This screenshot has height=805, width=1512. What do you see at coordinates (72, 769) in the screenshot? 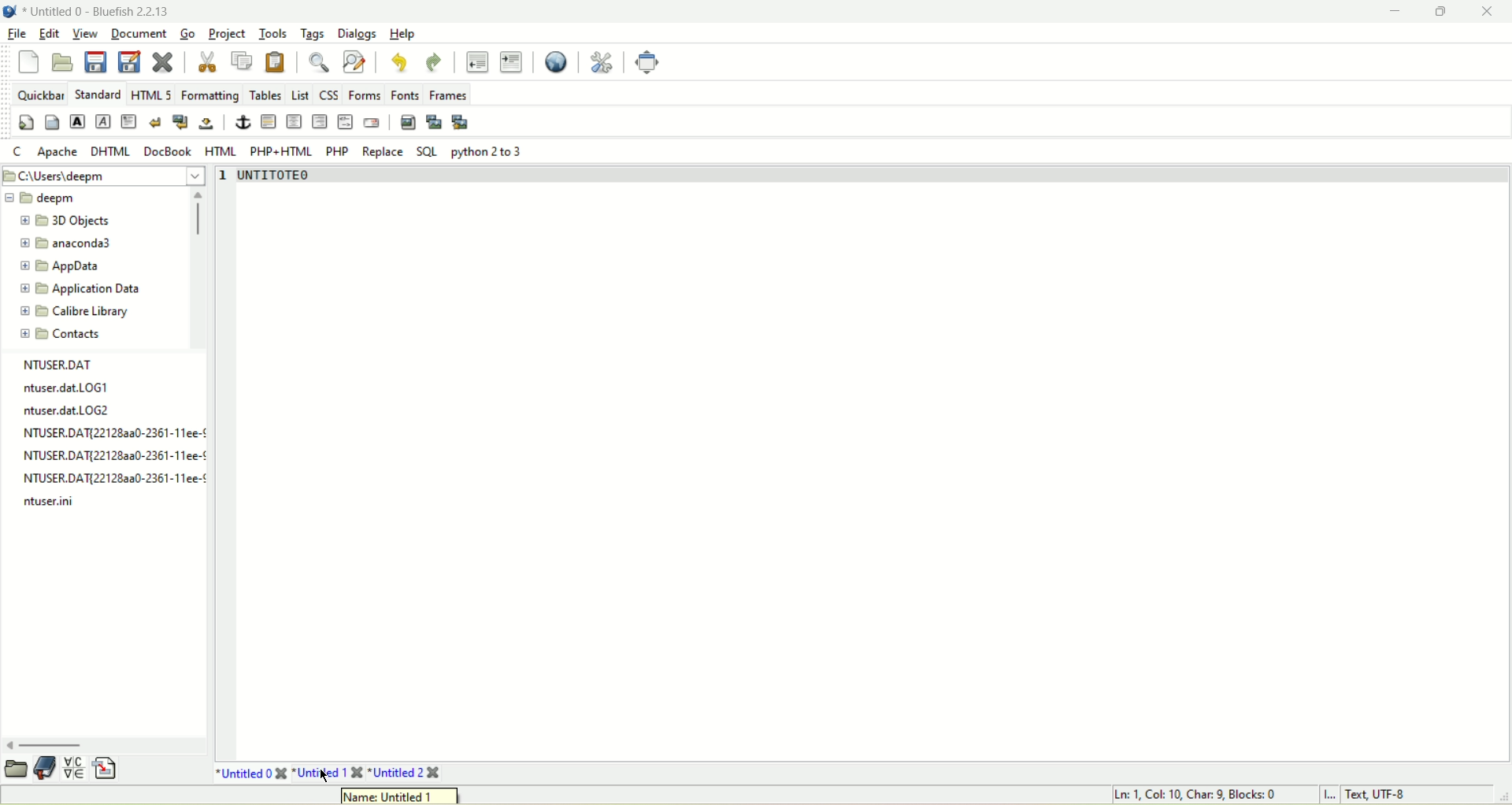
I see `insert special character` at bounding box center [72, 769].